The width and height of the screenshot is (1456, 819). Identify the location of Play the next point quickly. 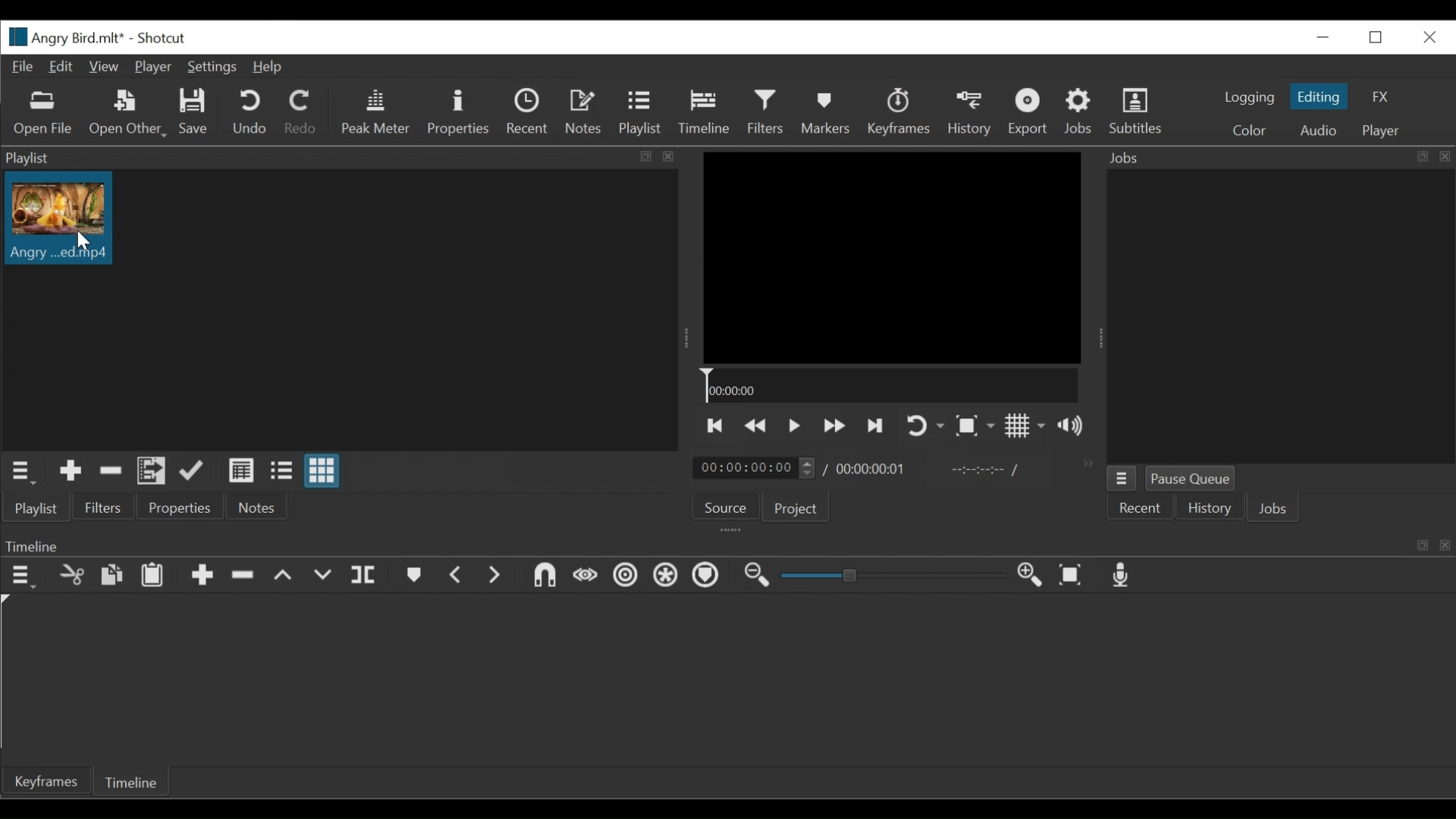
(877, 425).